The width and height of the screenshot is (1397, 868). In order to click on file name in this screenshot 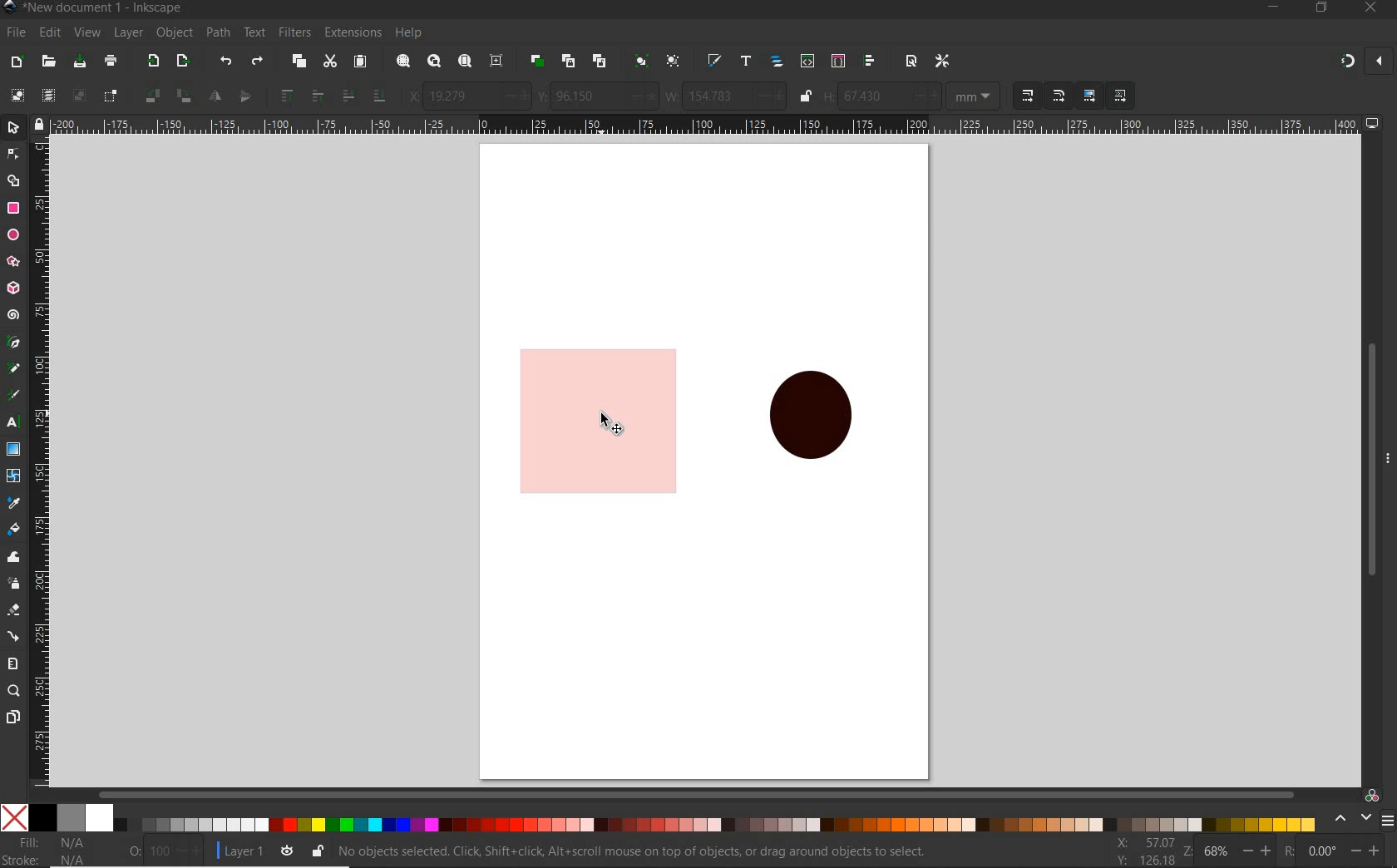, I will do `click(108, 8)`.